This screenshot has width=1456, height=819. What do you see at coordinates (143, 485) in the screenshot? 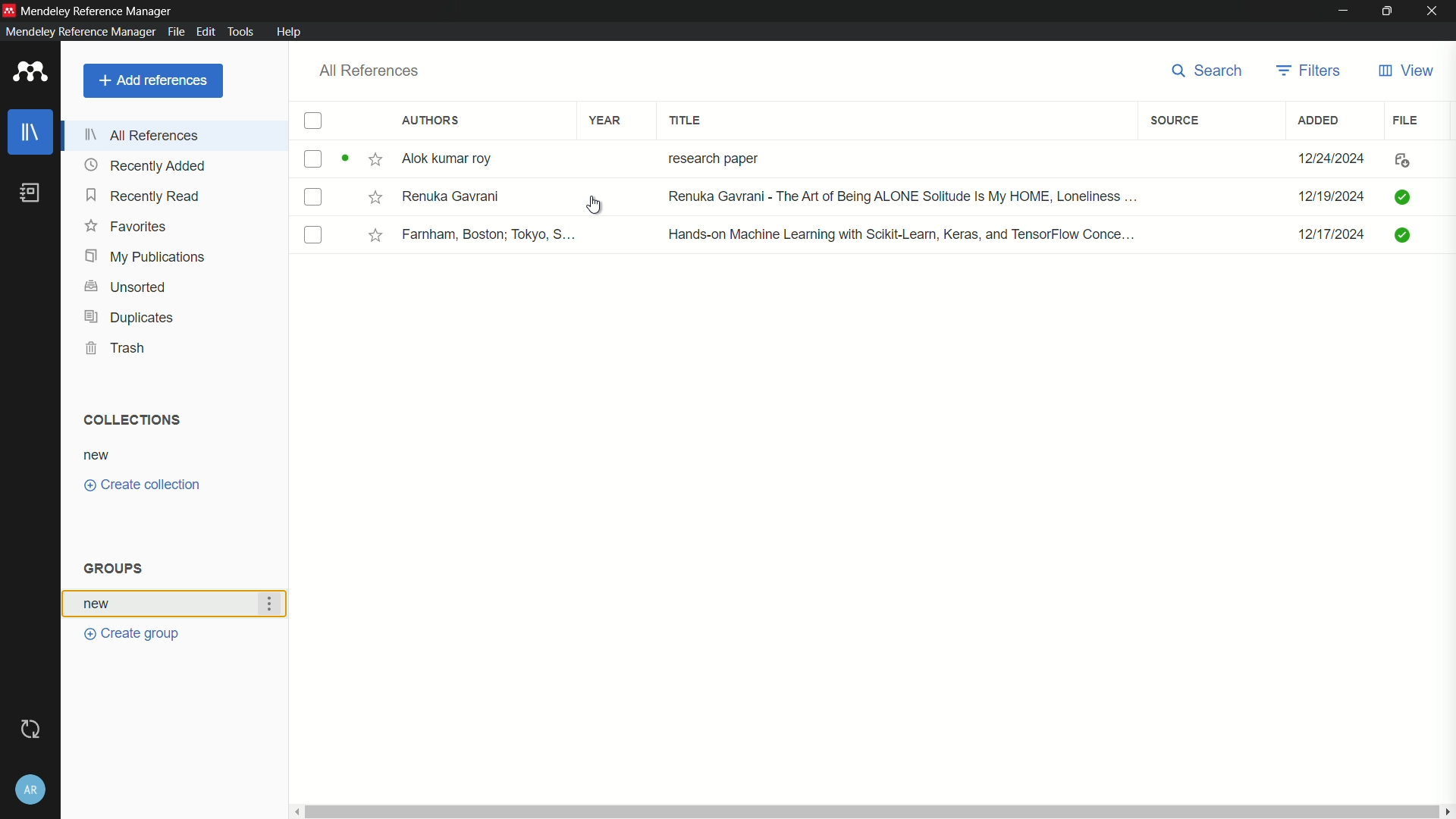
I see `create collection` at bounding box center [143, 485].